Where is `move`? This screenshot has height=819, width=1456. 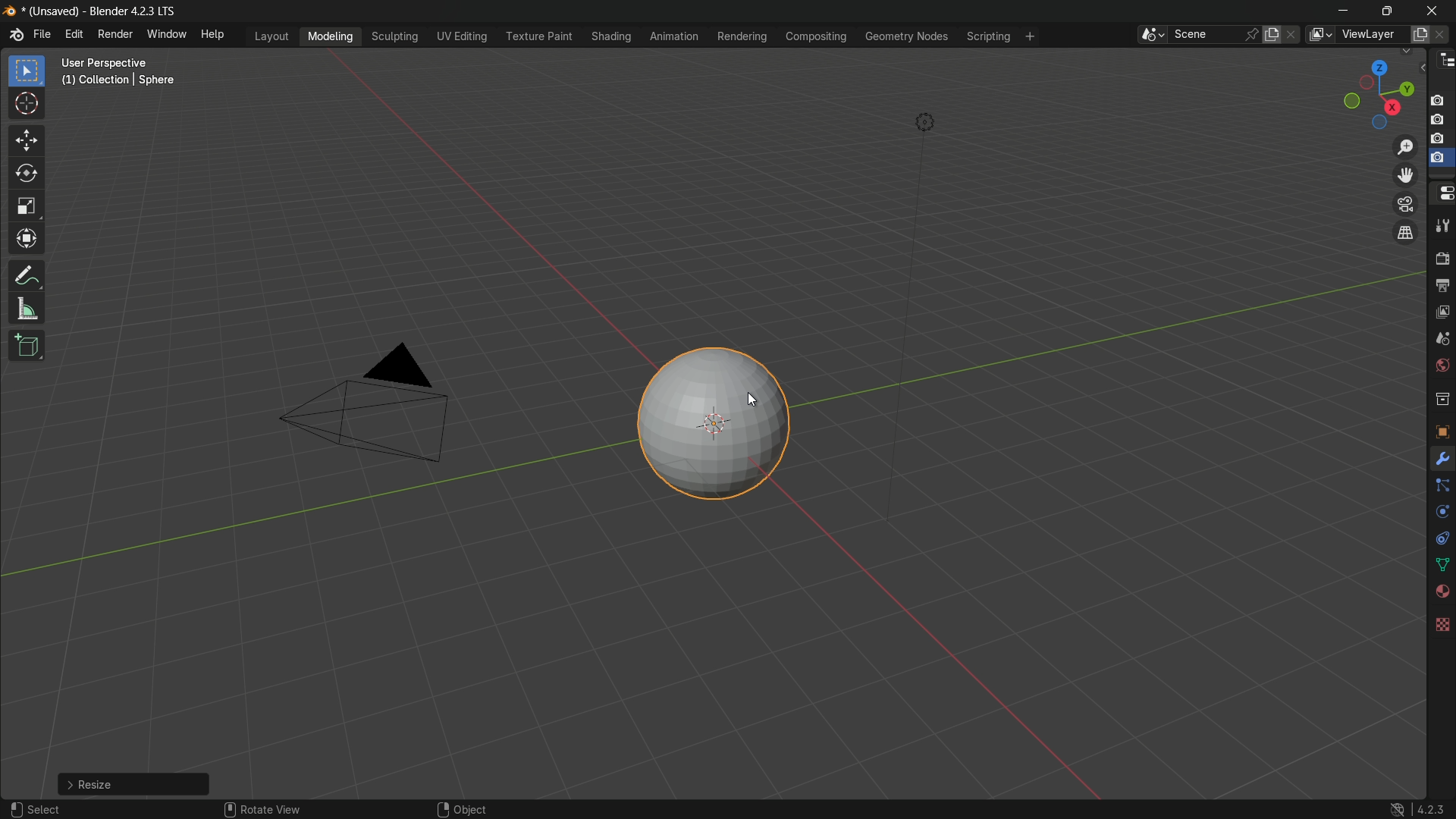
move is located at coordinates (25, 140).